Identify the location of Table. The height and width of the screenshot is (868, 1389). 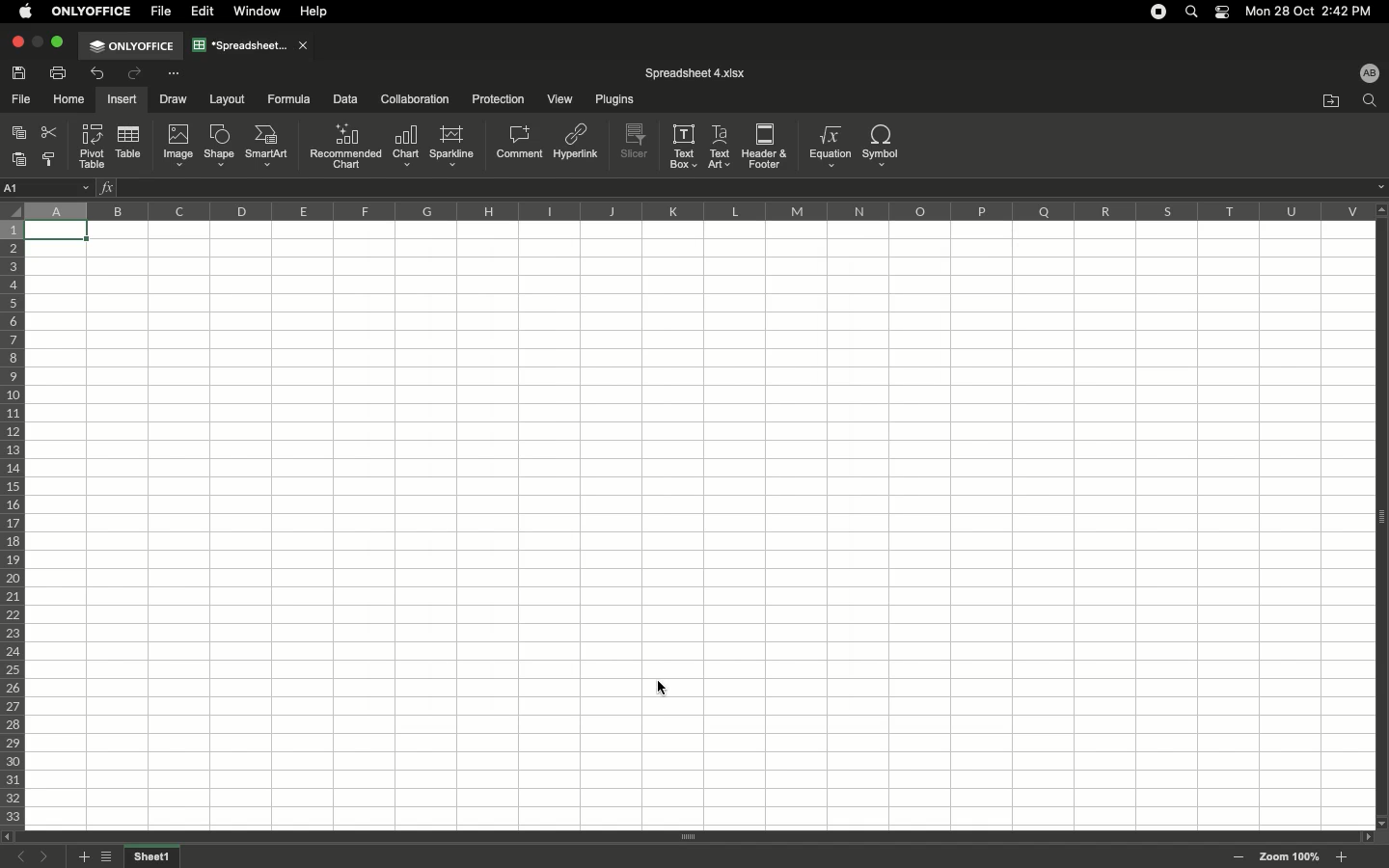
(126, 144).